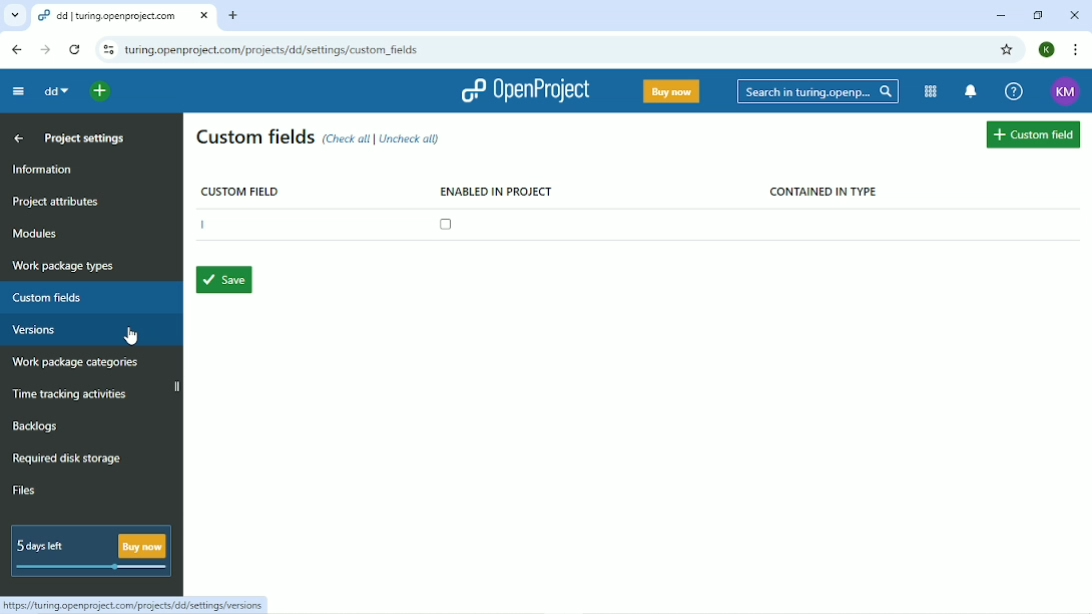 The image size is (1092, 614). I want to click on Work package categories, so click(76, 364).